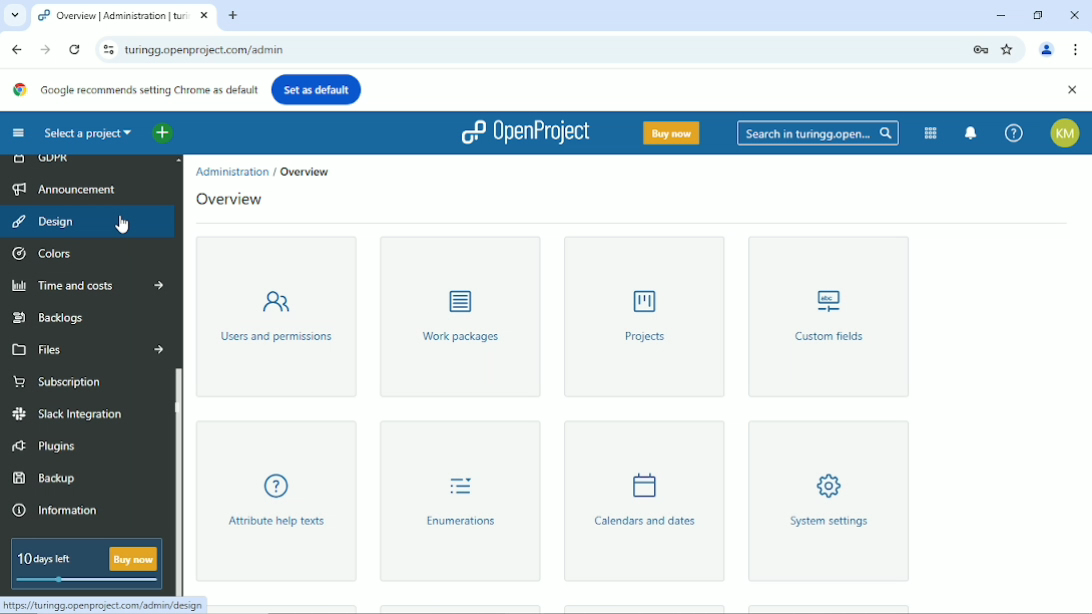  Describe the element at coordinates (105, 49) in the screenshot. I see `View site information` at that location.